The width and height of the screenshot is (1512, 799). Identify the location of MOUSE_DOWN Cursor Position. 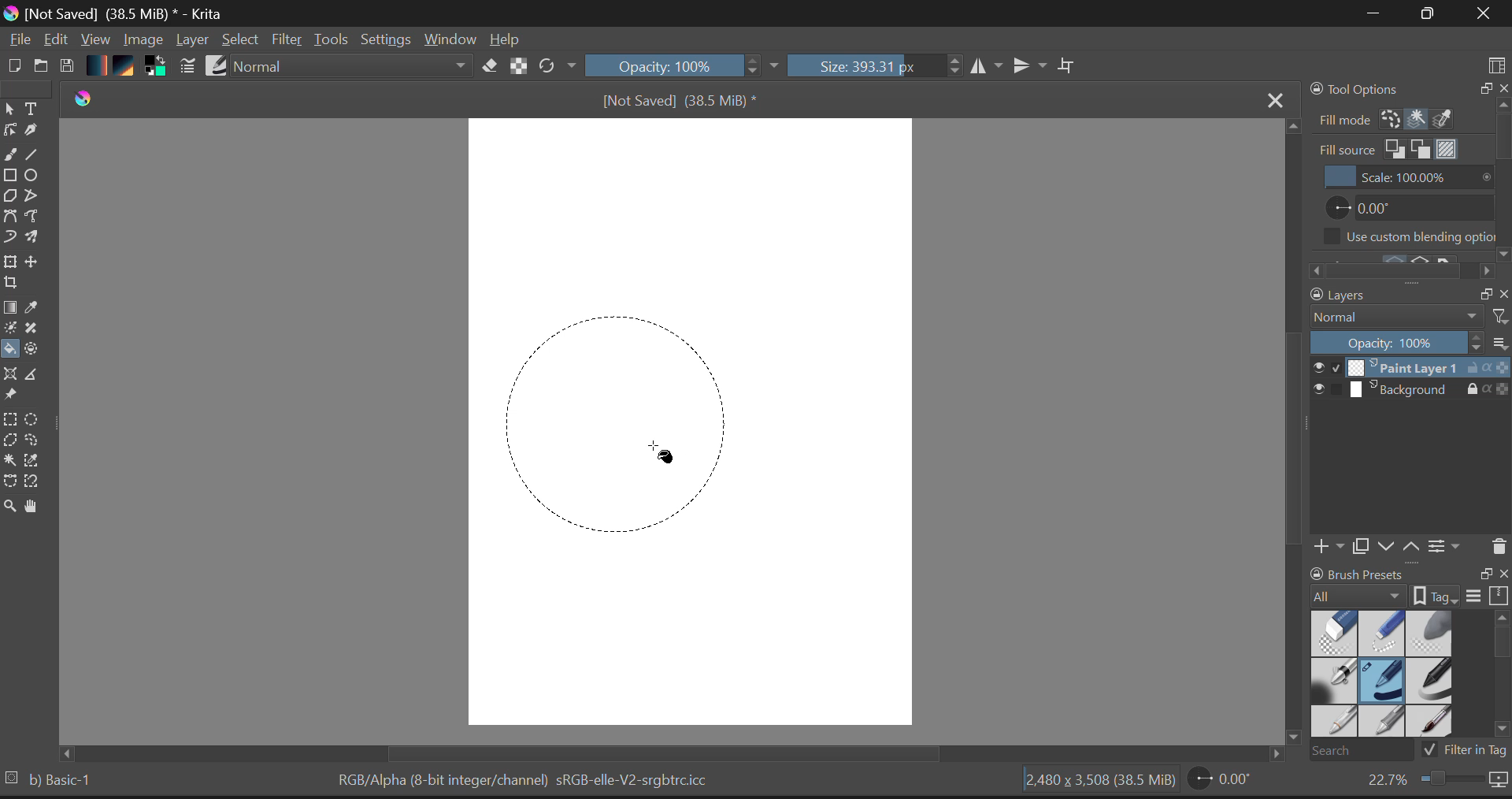
(516, 329).